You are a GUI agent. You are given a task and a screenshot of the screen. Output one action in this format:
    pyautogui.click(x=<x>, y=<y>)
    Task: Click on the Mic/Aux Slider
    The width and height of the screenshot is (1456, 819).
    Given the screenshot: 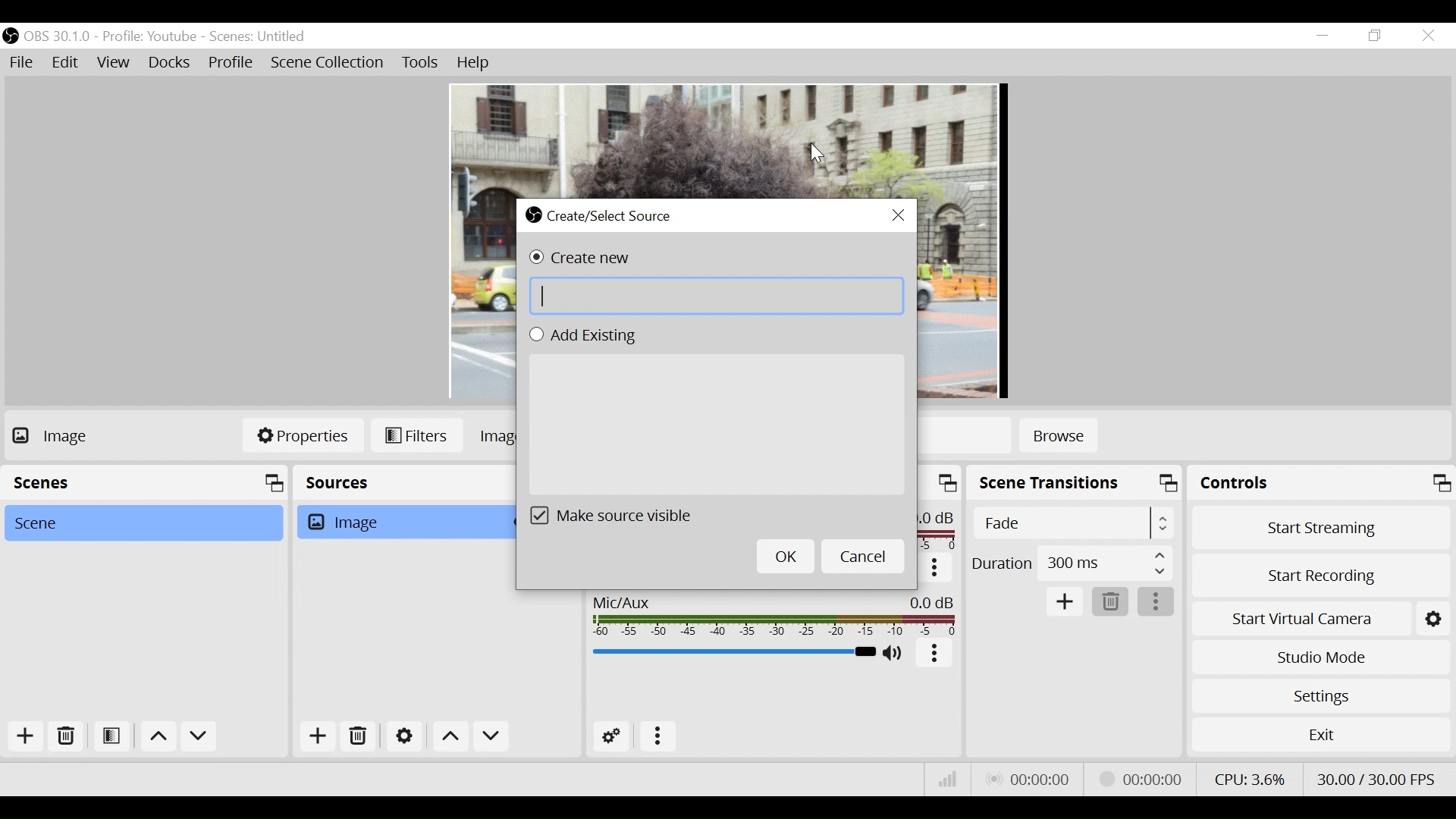 What is the action you would take?
    pyautogui.click(x=734, y=651)
    